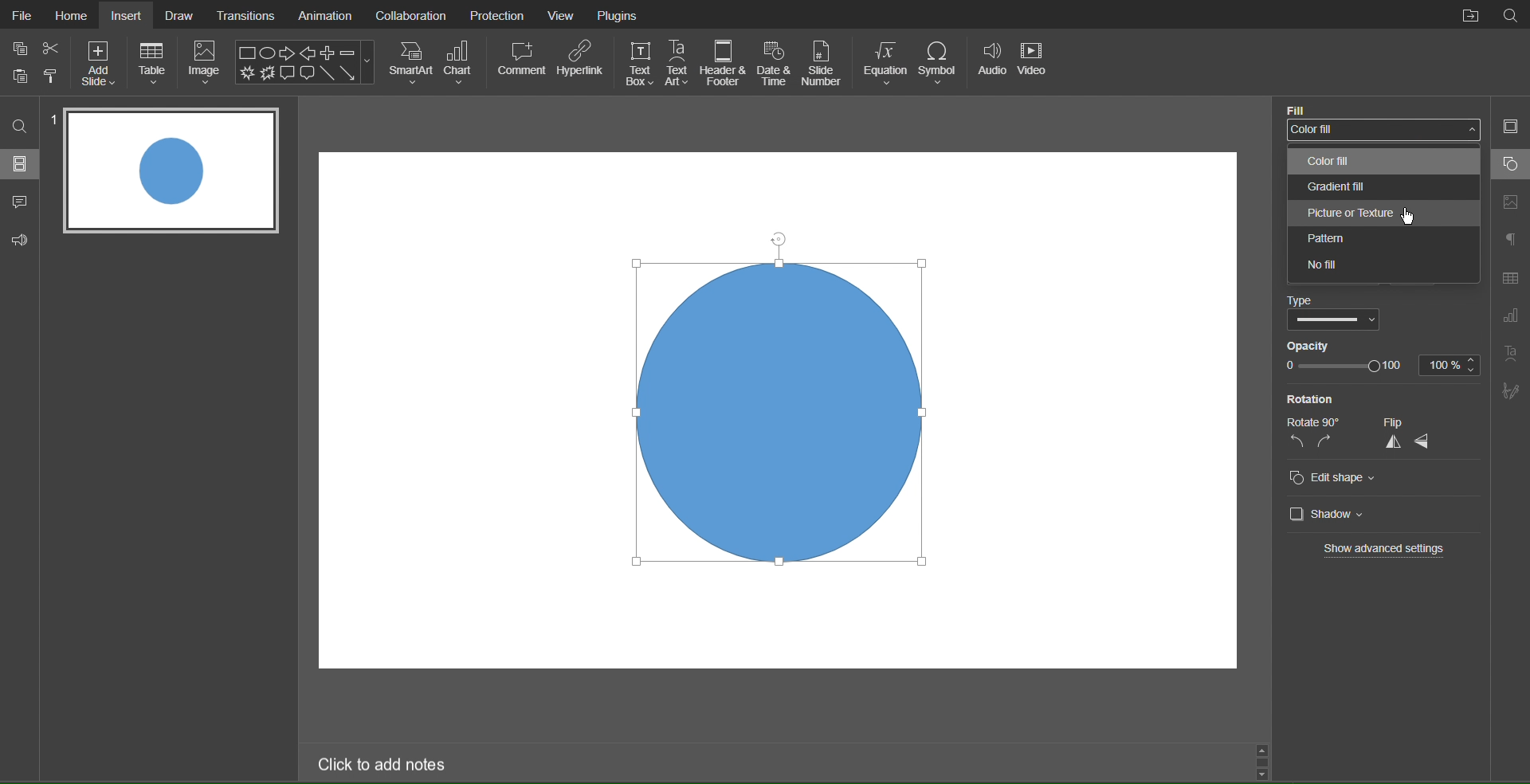 Image resolution: width=1530 pixels, height=784 pixels. I want to click on rotate right, so click(1324, 442).